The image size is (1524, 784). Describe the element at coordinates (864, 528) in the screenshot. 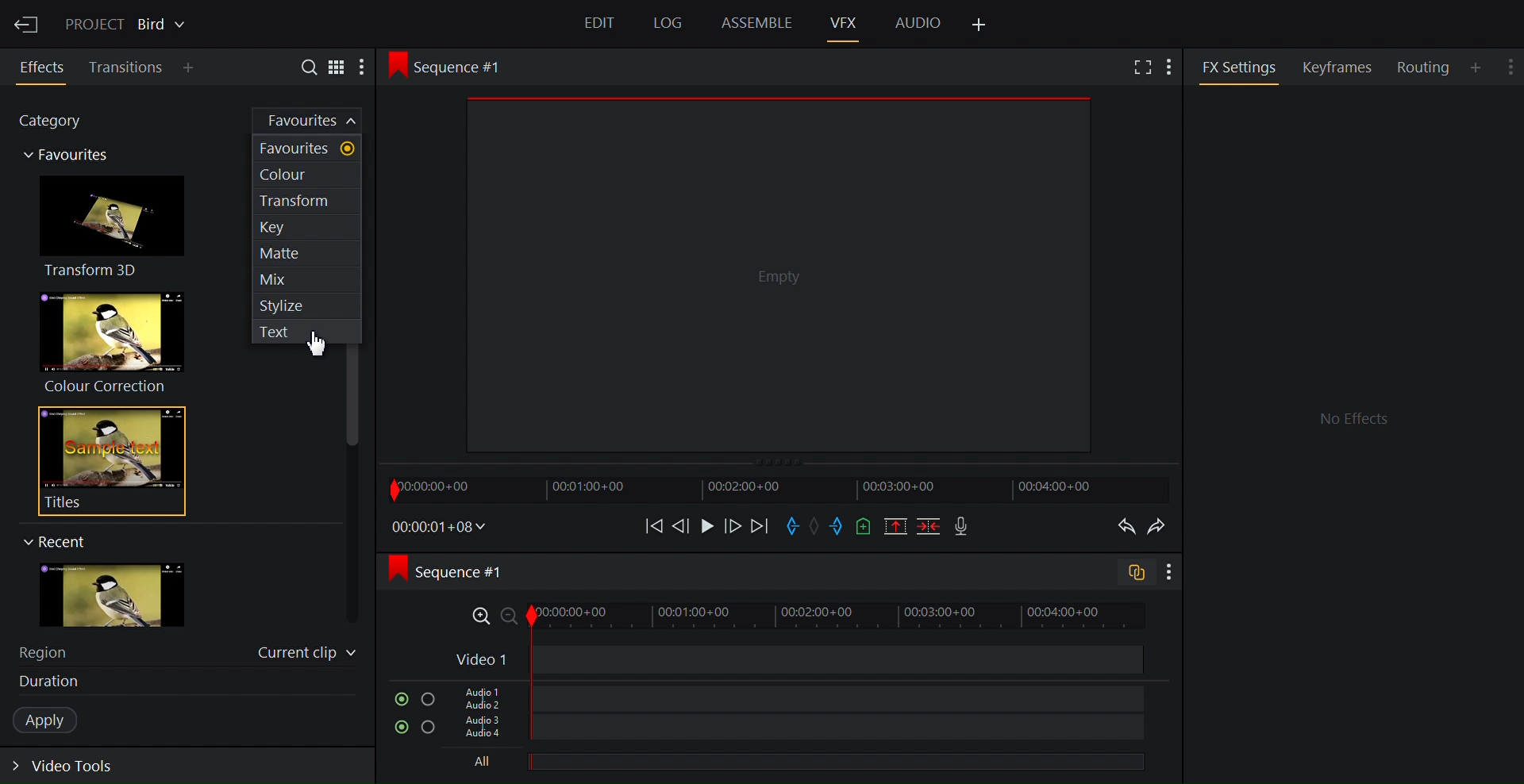

I see `Add a cue` at that location.